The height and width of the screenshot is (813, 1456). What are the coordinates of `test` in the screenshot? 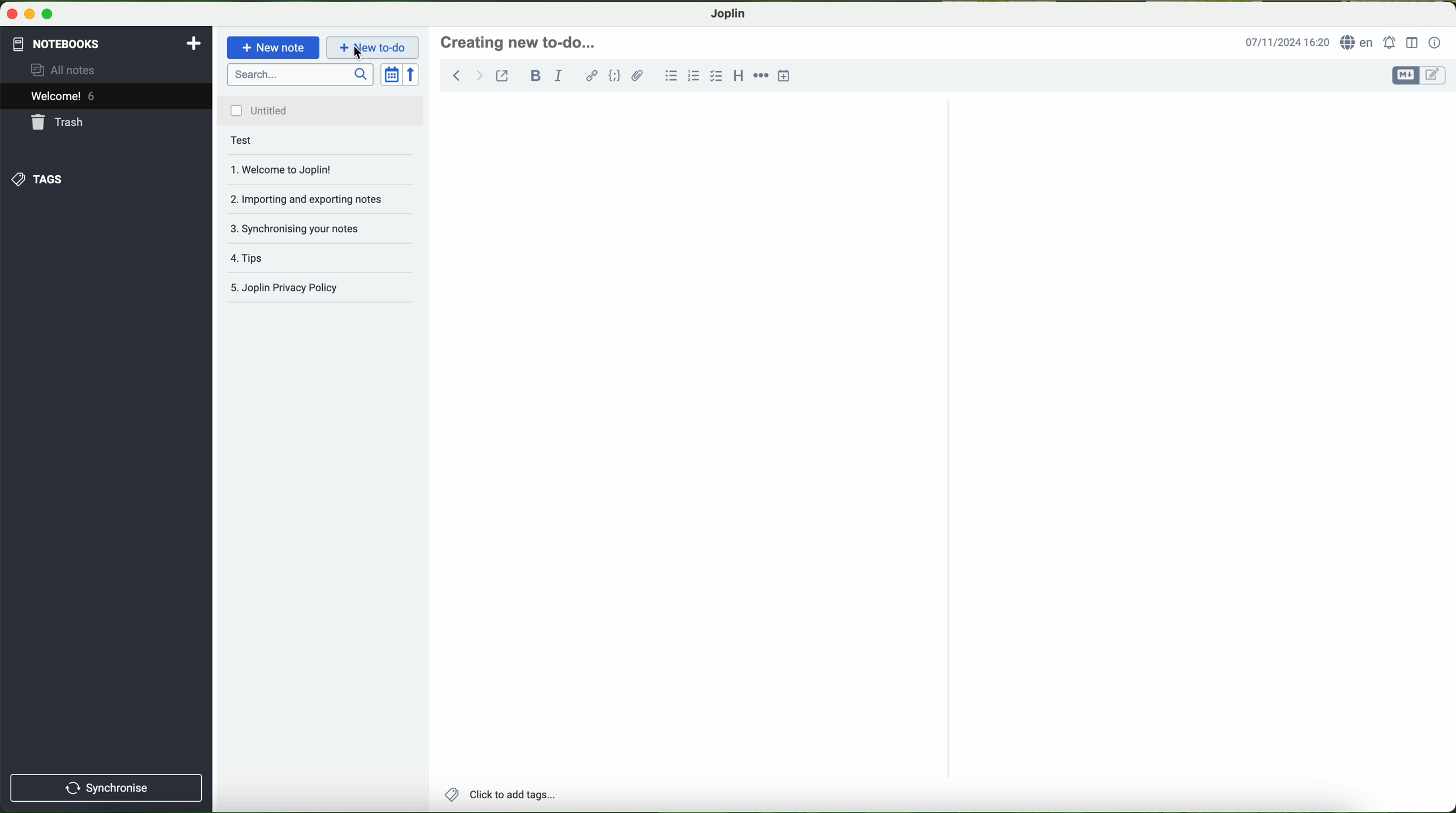 It's located at (261, 142).